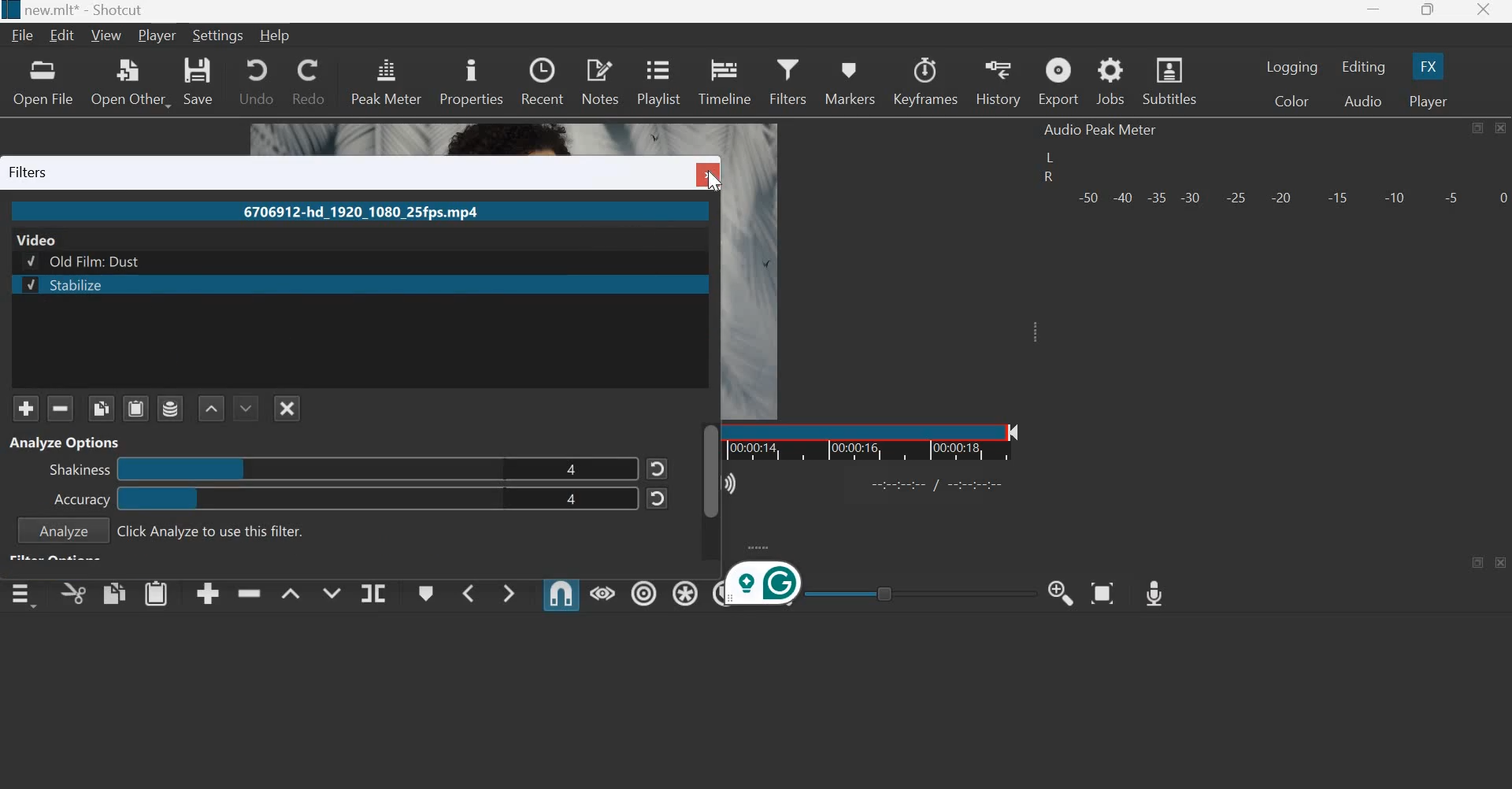 The height and width of the screenshot is (789, 1512). What do you see at coordinates (658, 467) in the screenshot?
I see `reset to default` at bounding box center [658, 467].